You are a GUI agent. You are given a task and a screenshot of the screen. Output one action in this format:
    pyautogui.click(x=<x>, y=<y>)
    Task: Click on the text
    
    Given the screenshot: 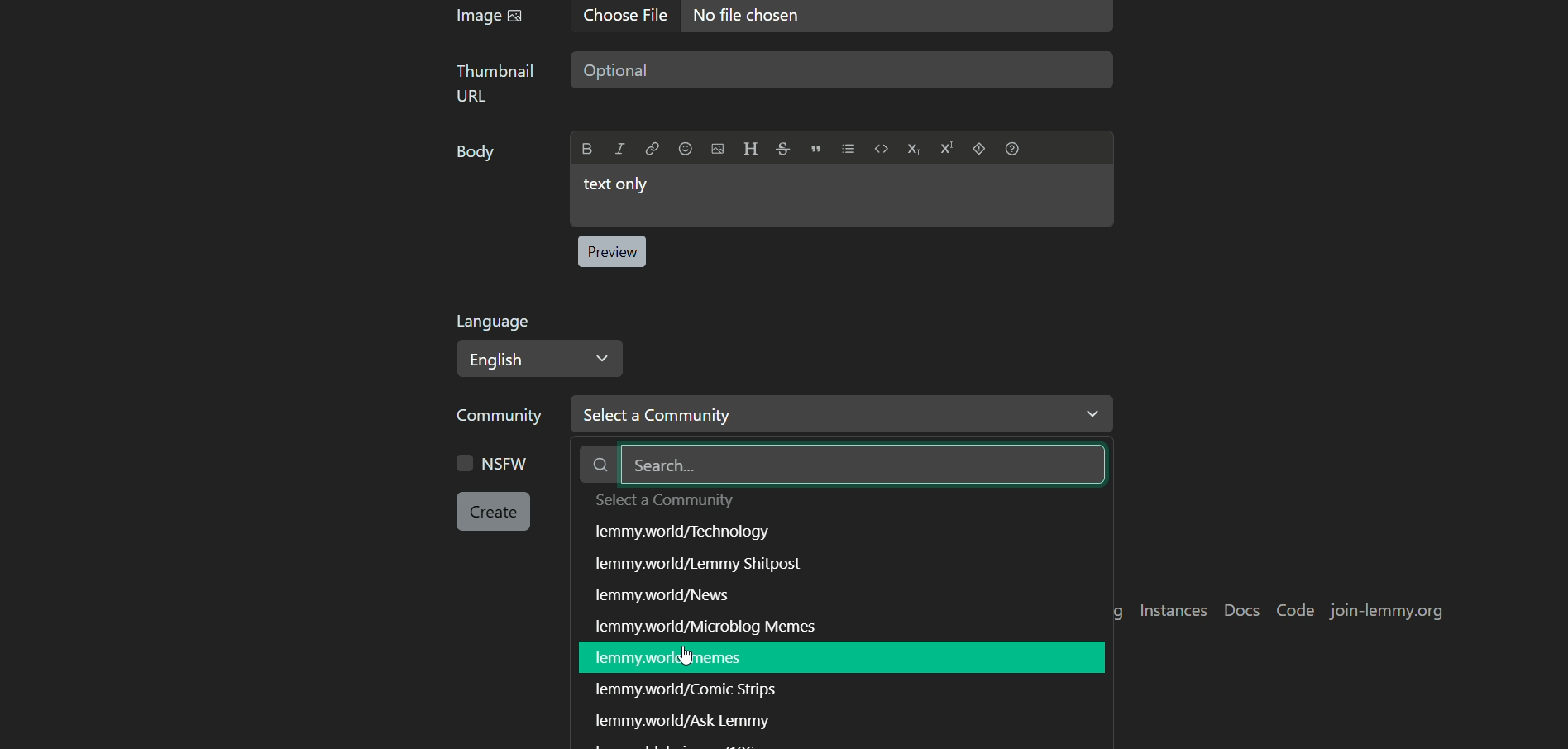 What is the action you would take?
    pyautogui.click(x=709, y=567)
    